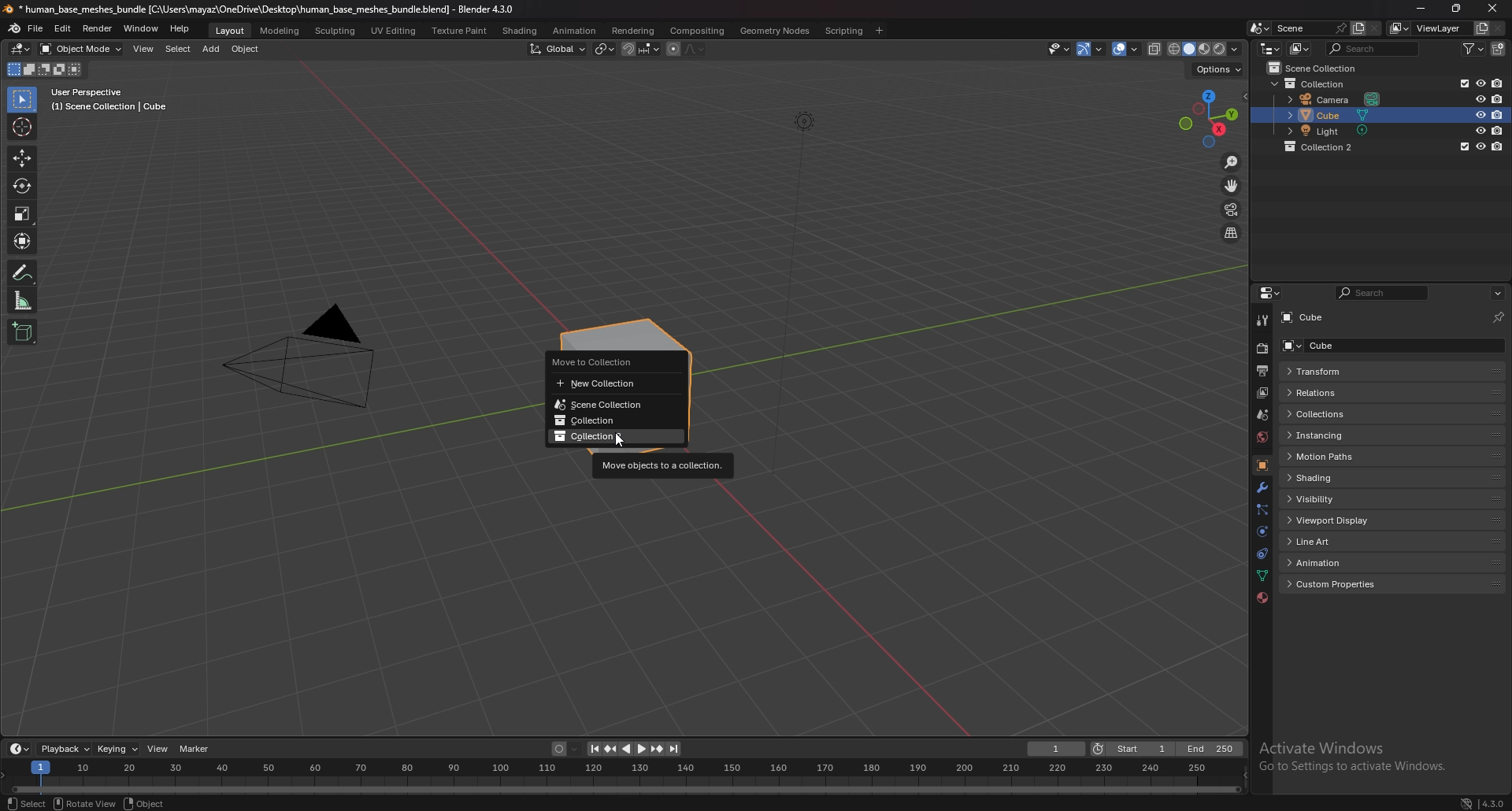 The width and height of the screenshot is (1512, 811). Describe the element at coordinates (178, 49) in the screenshot. I see `select` at that location.